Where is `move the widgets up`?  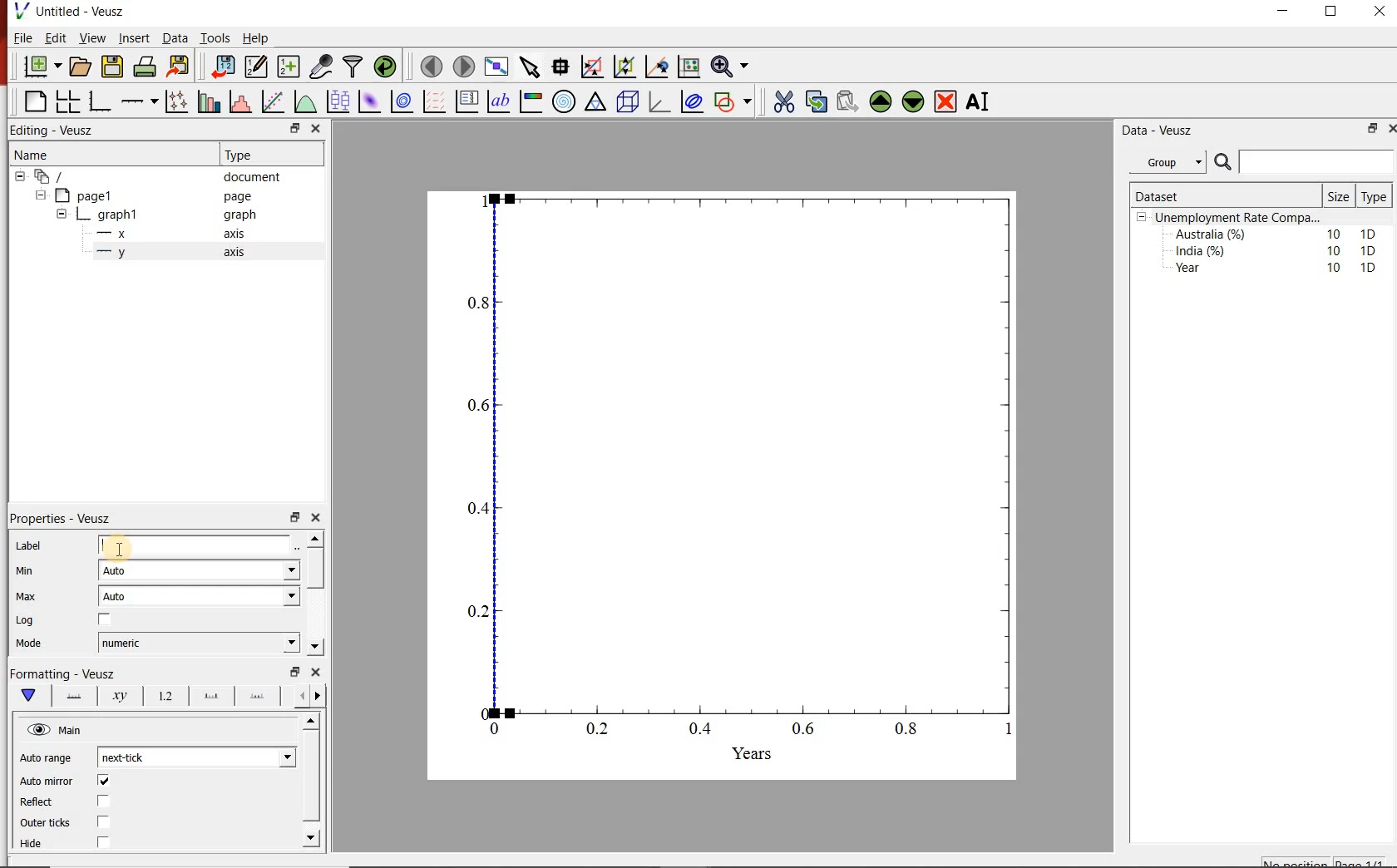 move the widgets up is located at coordinates (881, 101).